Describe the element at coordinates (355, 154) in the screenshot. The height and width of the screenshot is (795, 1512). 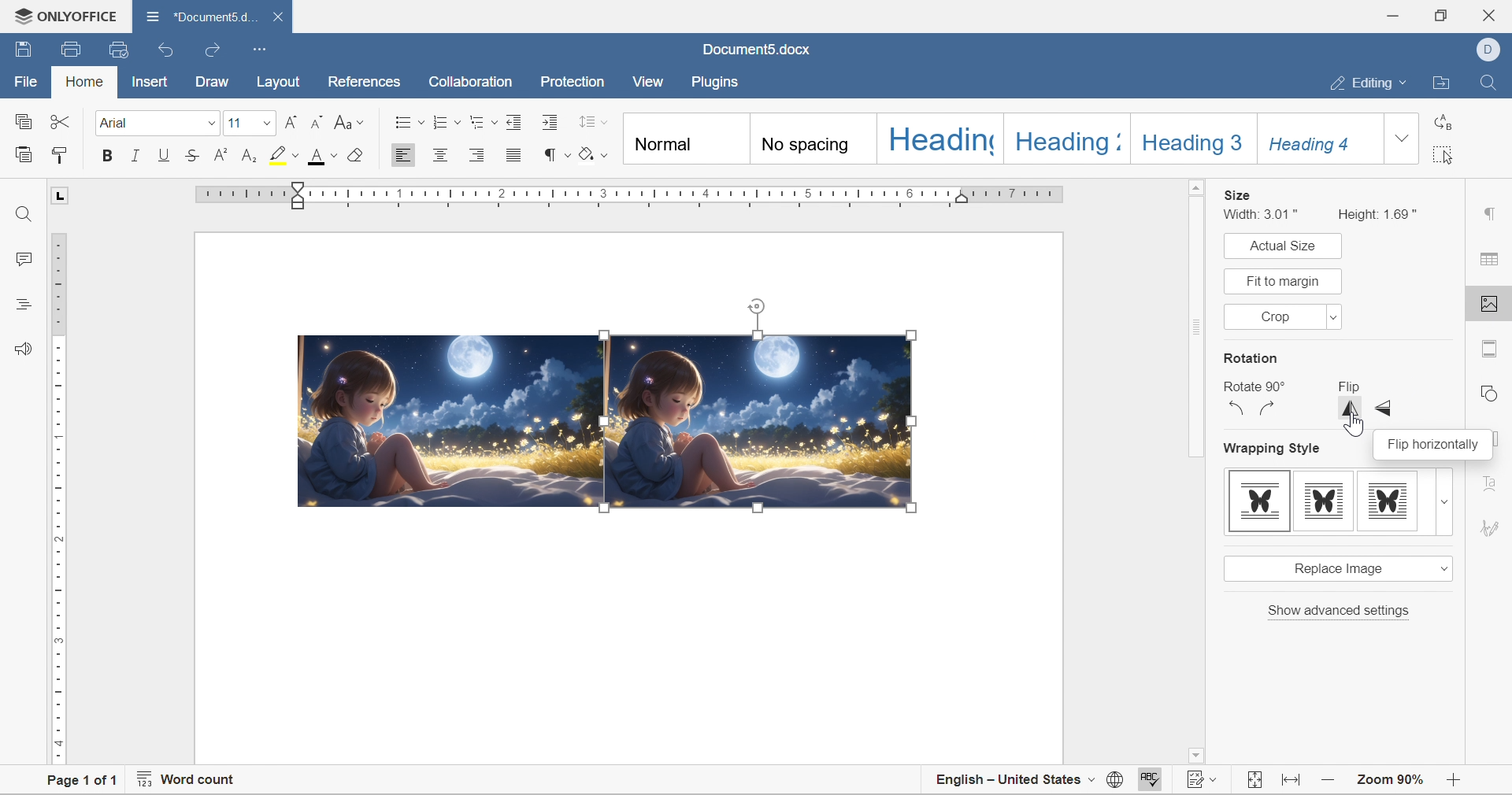
I see `clear style` at that location.